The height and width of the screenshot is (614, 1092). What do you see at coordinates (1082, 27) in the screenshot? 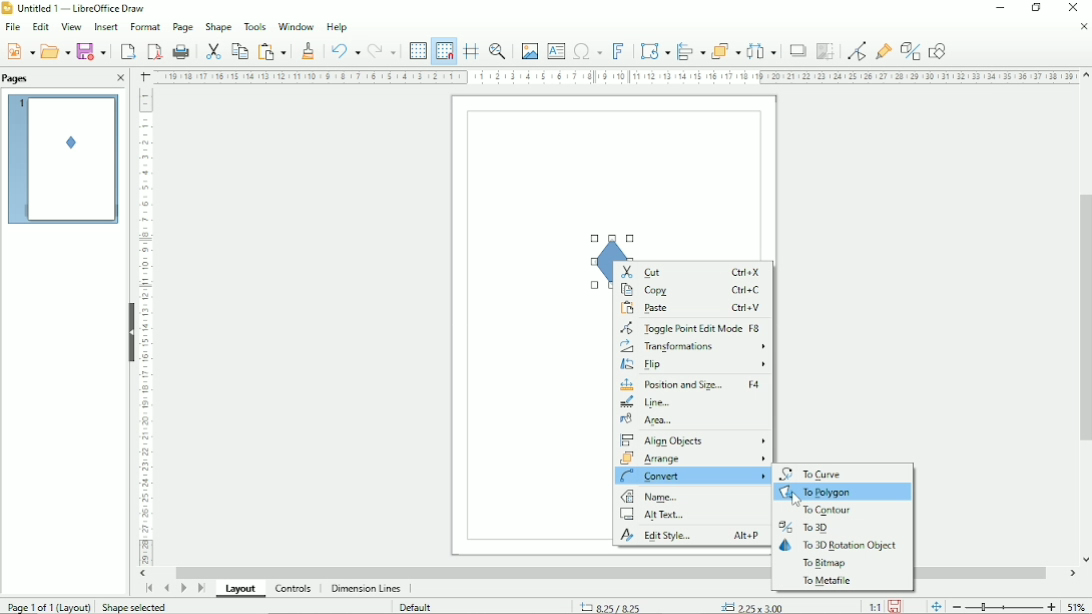
I see `Close` at bounding box center [1082, 27].